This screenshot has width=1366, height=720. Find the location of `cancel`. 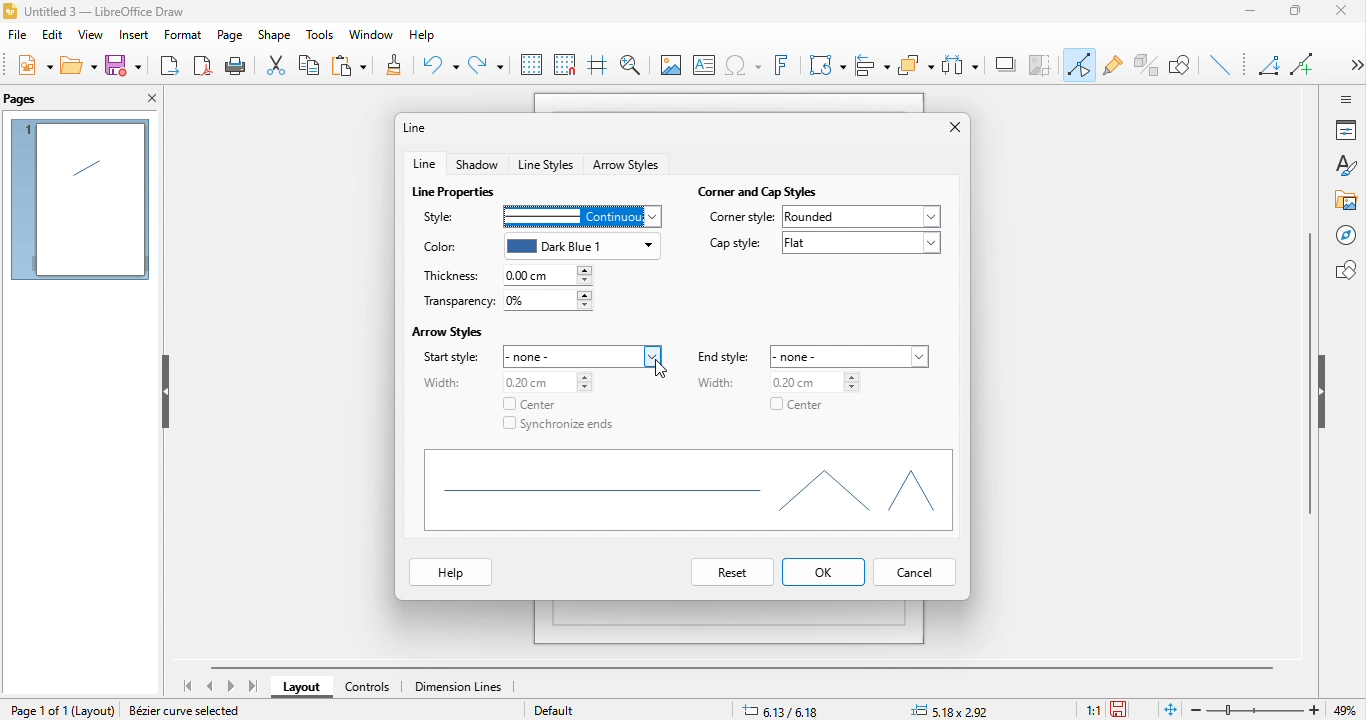

cancel is located at coordinates (916, 574).